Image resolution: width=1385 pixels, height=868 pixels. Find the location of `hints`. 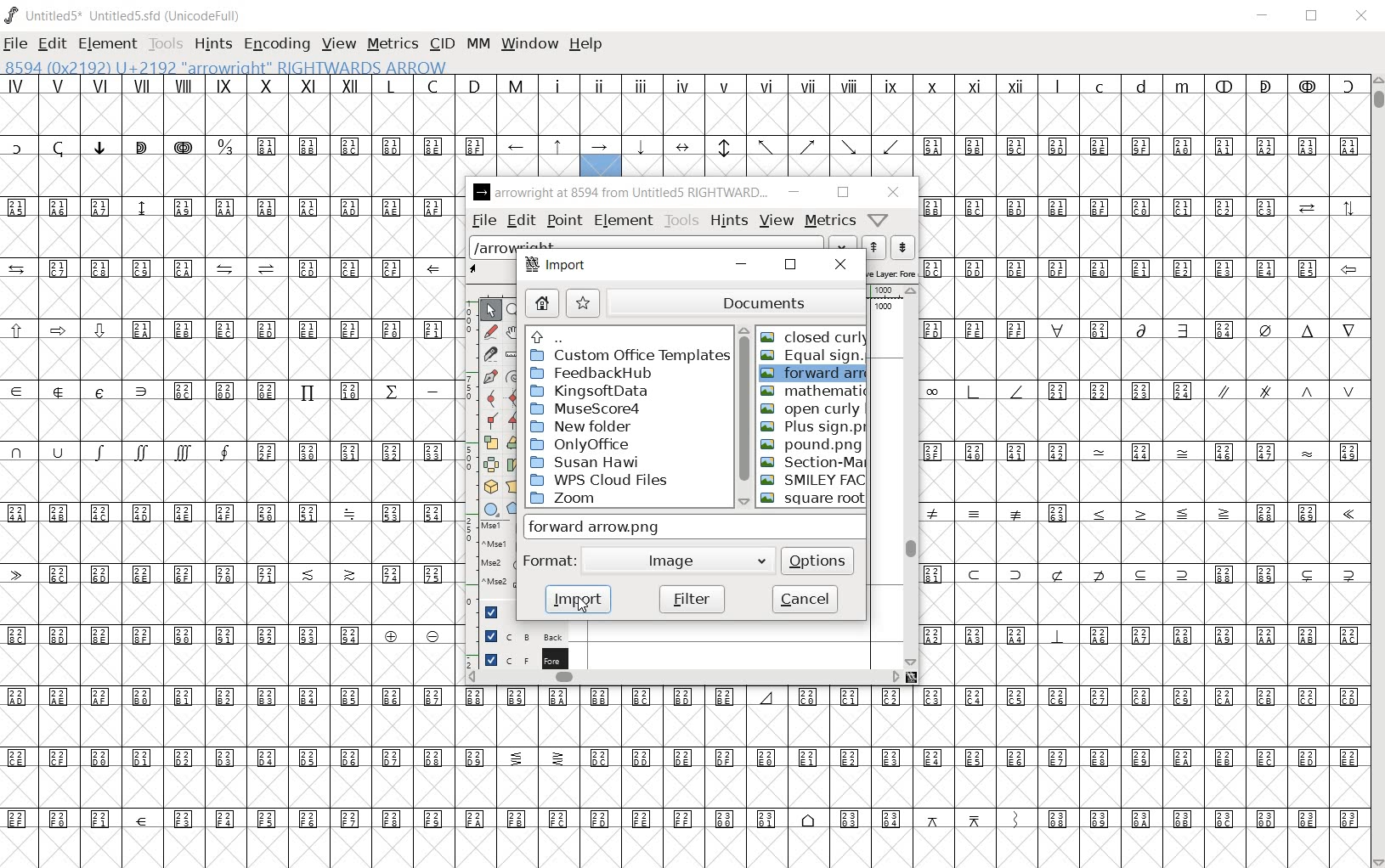

hints is located at coordinates (729, 219).